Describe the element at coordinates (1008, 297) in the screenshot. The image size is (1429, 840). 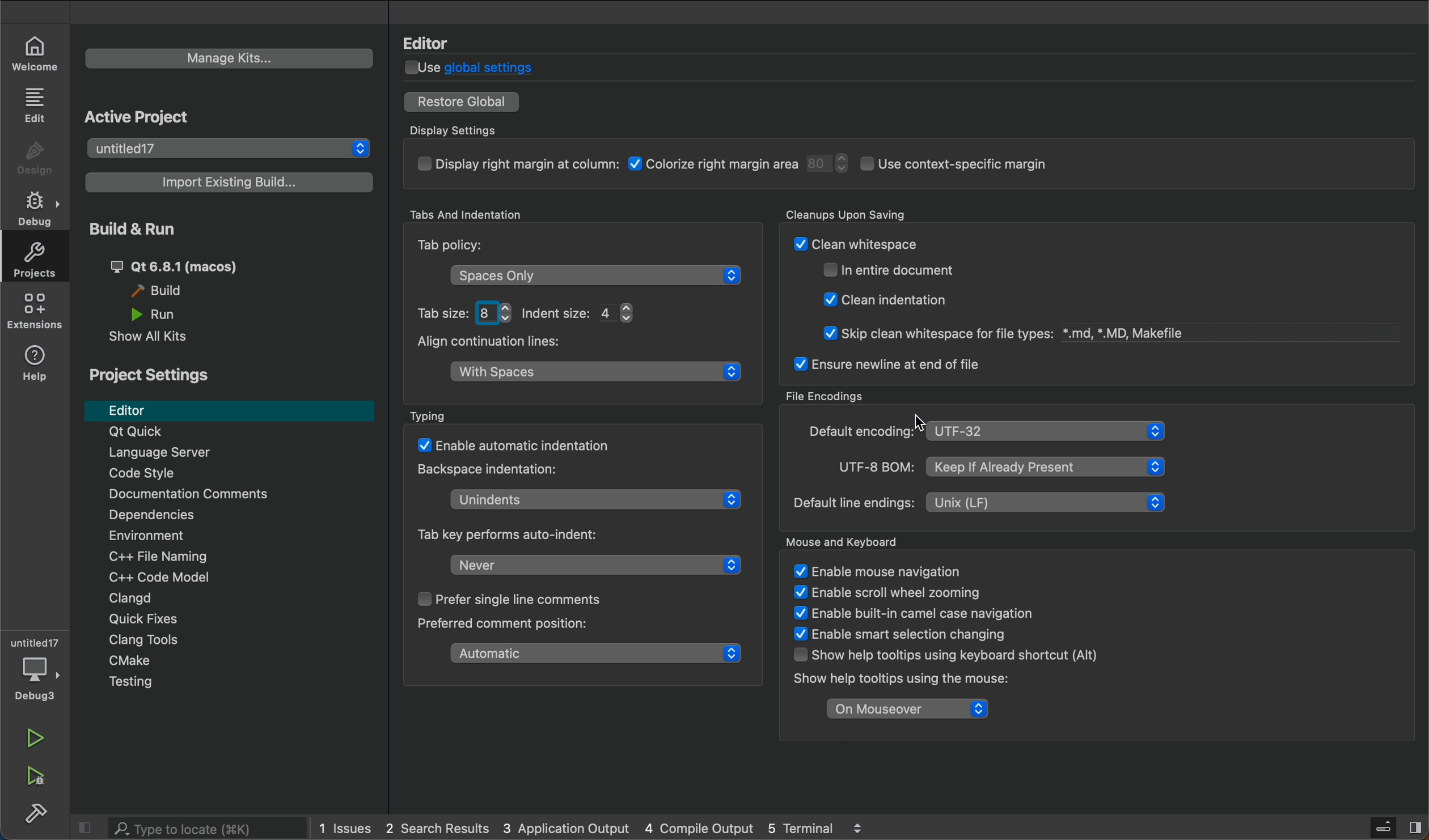
I see `cleanup savings` at that location.